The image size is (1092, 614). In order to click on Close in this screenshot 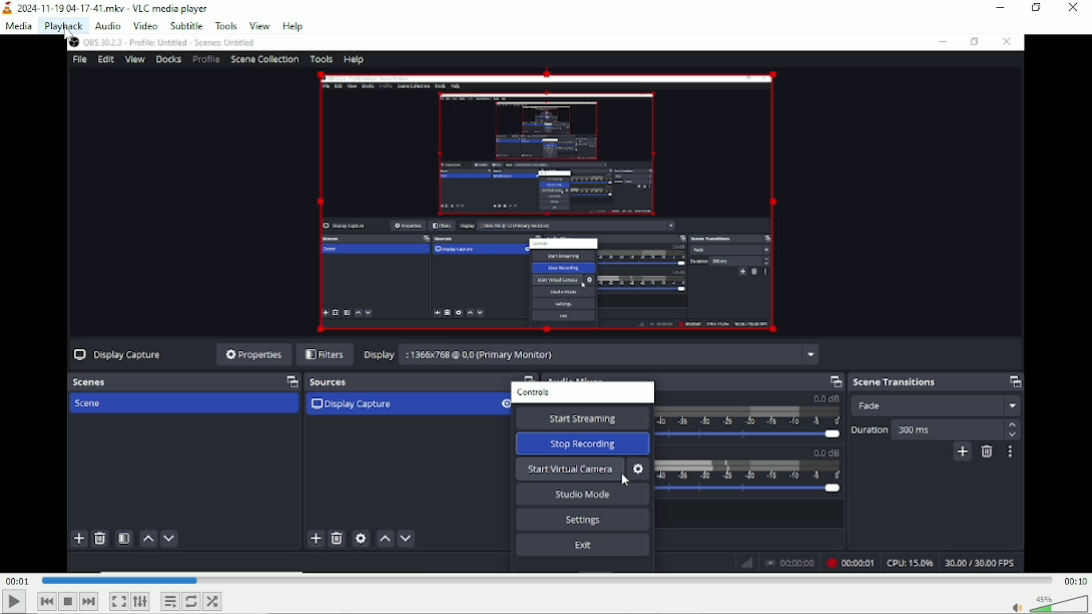, I will do `click(1073, 9)`.